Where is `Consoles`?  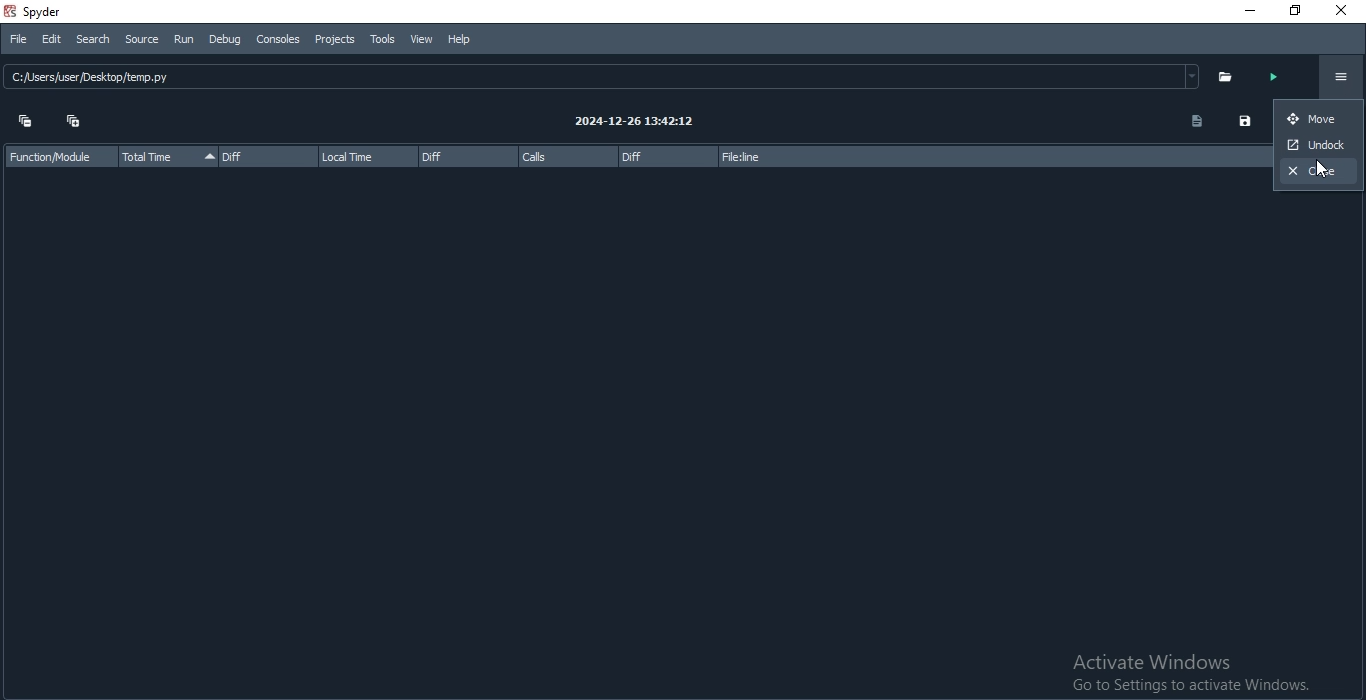
Consoles is located at coordinates (280, 40).